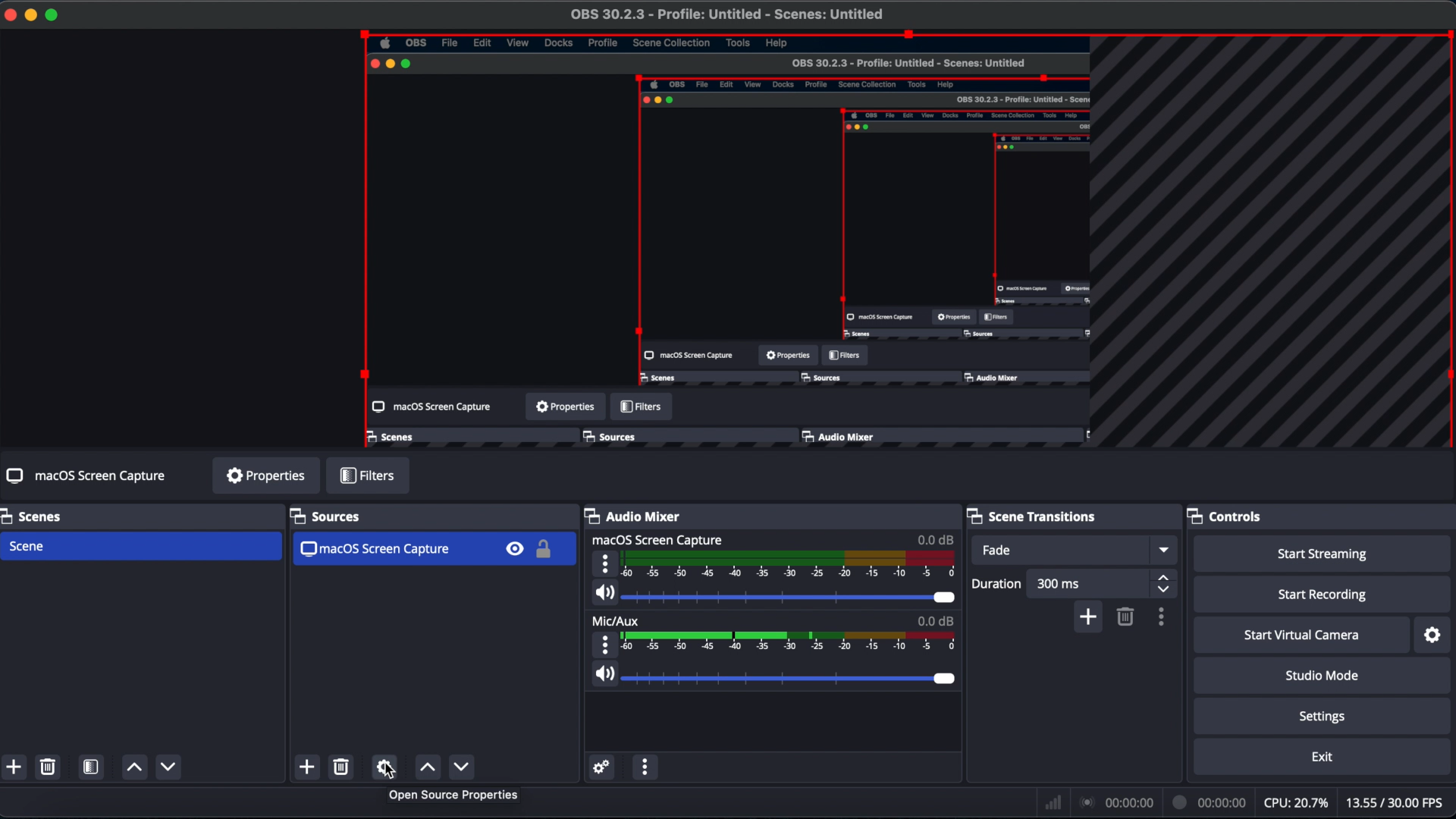  Describe the element at coordinates (1326, 595) in the screenshot. I see `start recording` at that location.